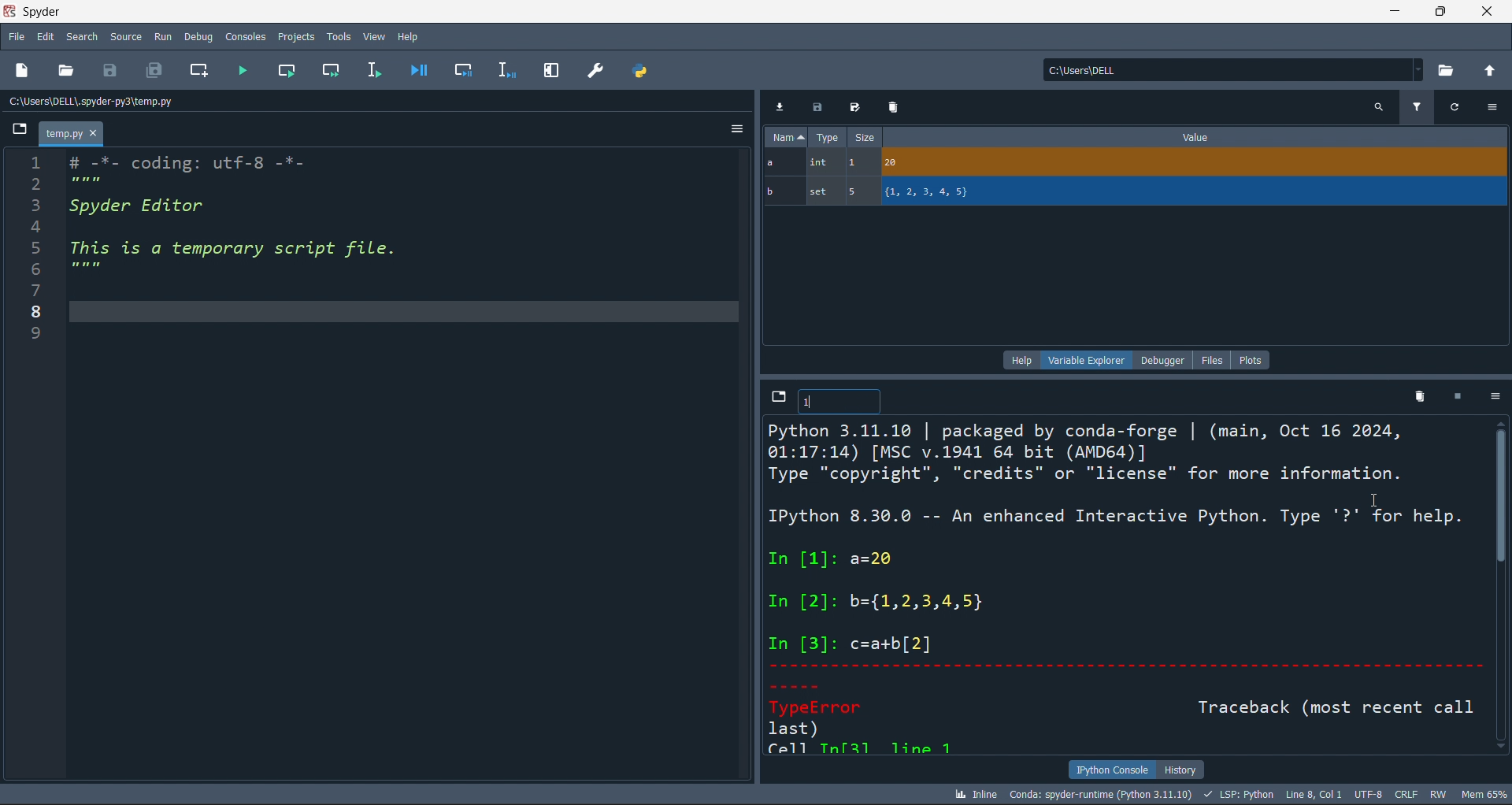 This screenshot has width=1512, height=805. What do you see at coordinates (1132, 164) in the screenshot?
I see `a, int, 1, 20` at bounding box center [1132, 164].